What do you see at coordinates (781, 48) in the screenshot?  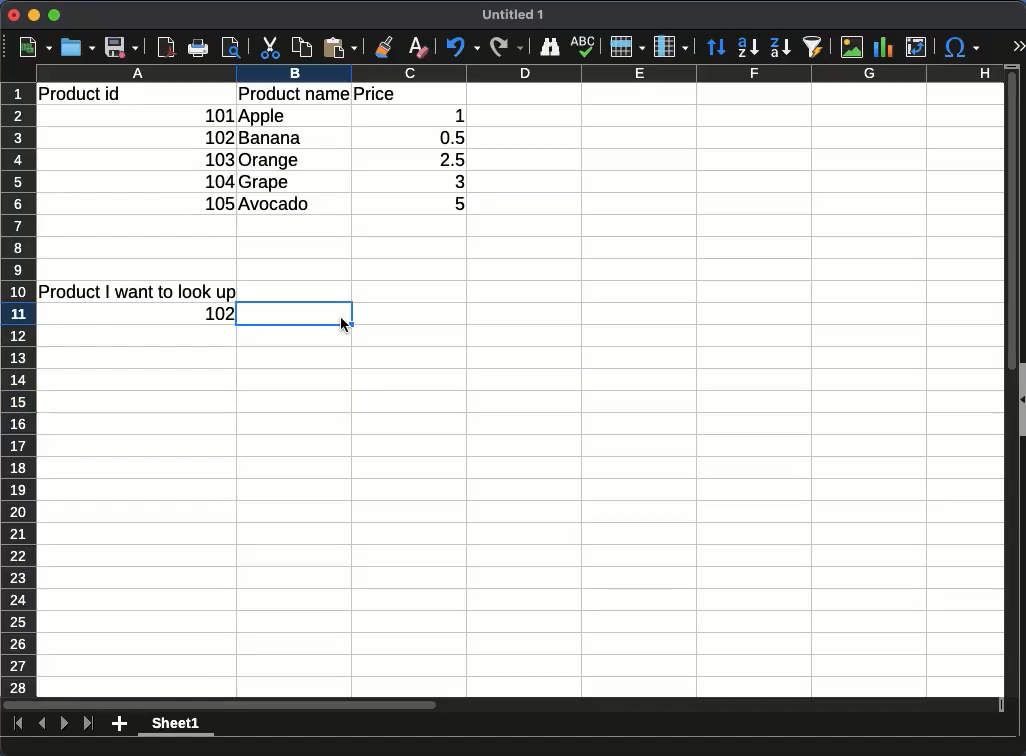 I see `descending ` at bounding box center [781, 48].